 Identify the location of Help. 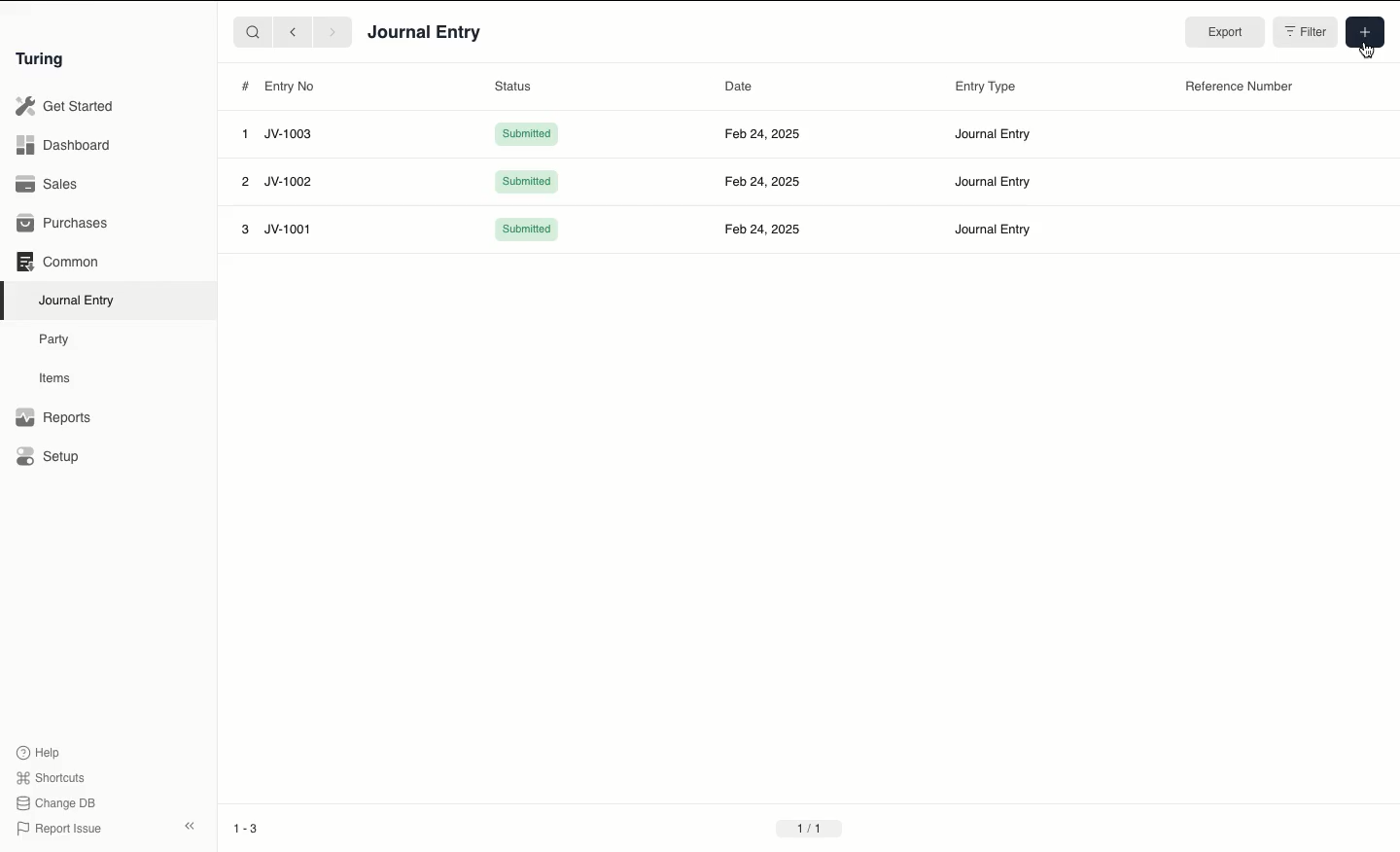
(39, 753).